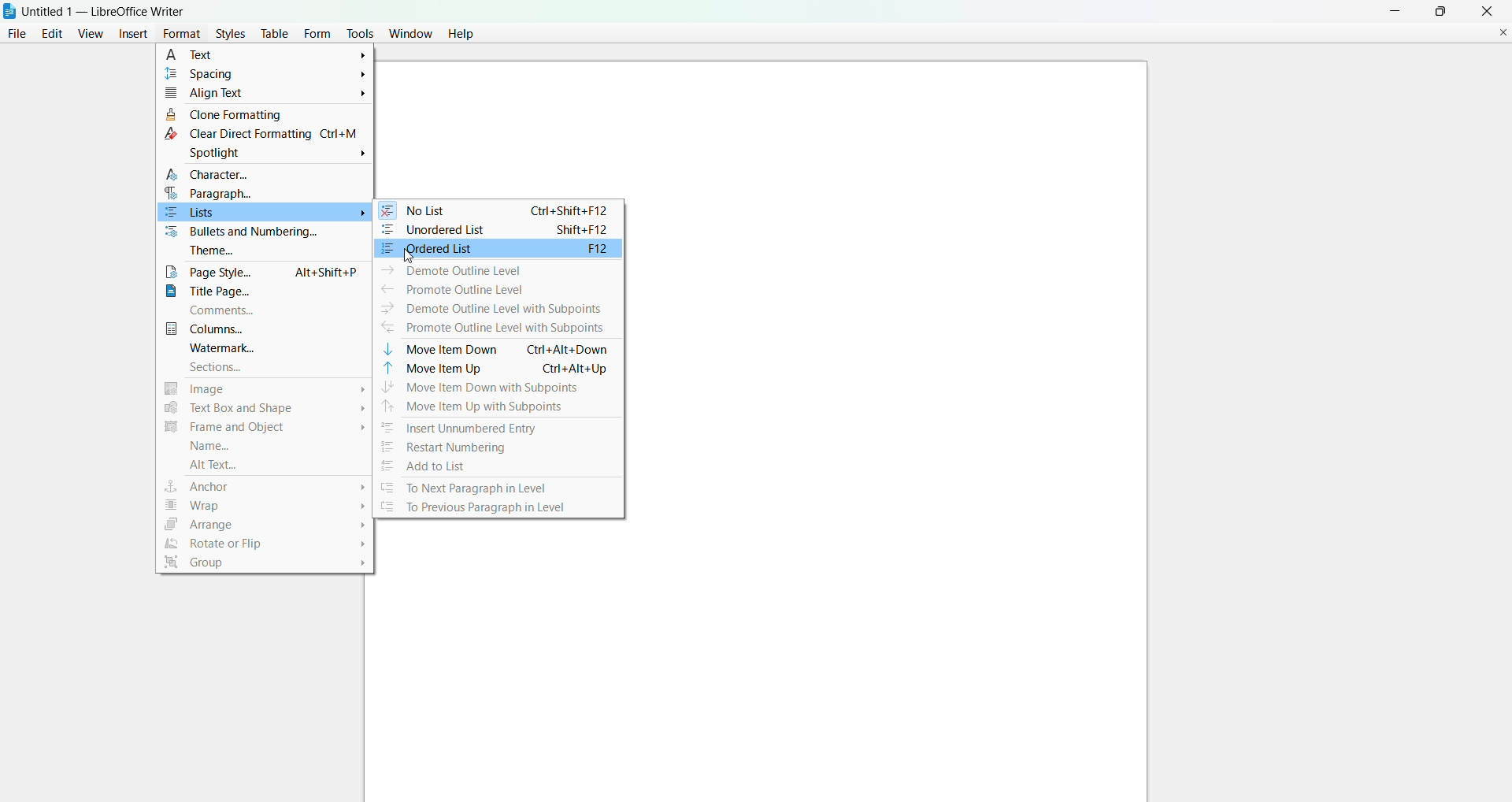 This screenshot has width=1512, height=802. What do you see at coordinates (502, 250) in the screenshot?
I see `ordered list   F12` at bounding box center [502, 250].